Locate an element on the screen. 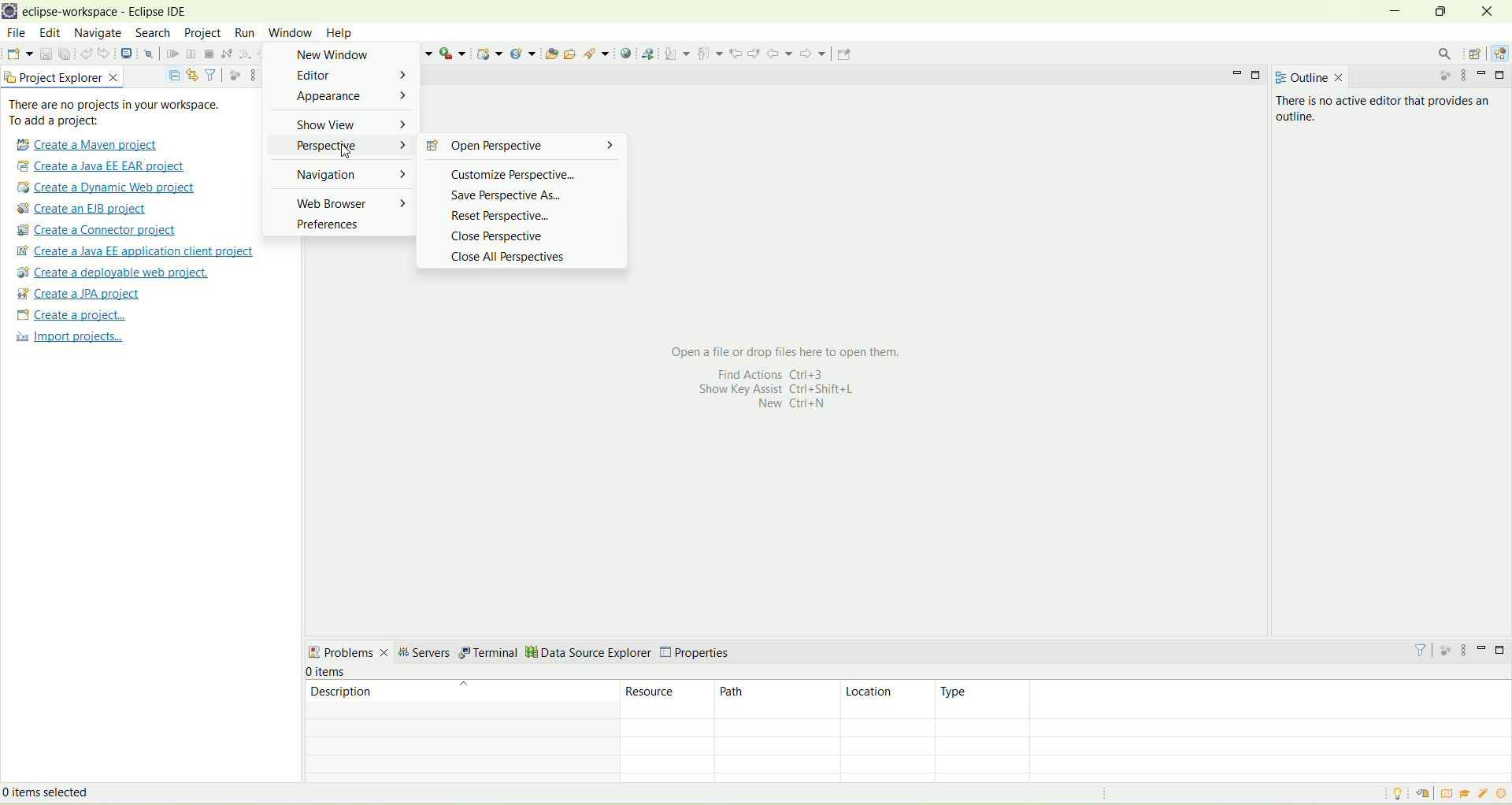  resource is located at coordinates (669, 699).